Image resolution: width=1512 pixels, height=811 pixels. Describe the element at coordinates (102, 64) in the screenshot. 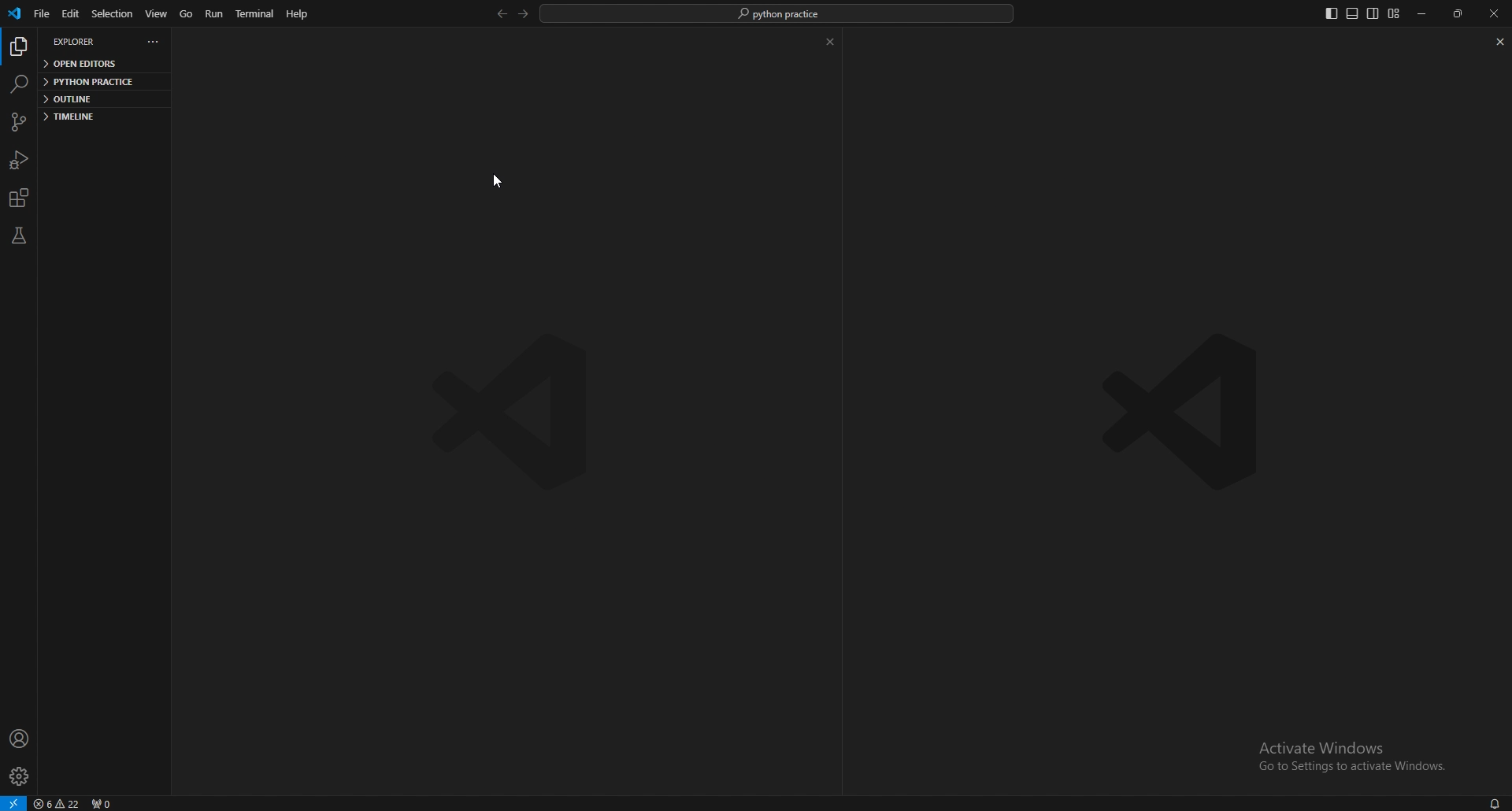

I see `open editors` at that location.